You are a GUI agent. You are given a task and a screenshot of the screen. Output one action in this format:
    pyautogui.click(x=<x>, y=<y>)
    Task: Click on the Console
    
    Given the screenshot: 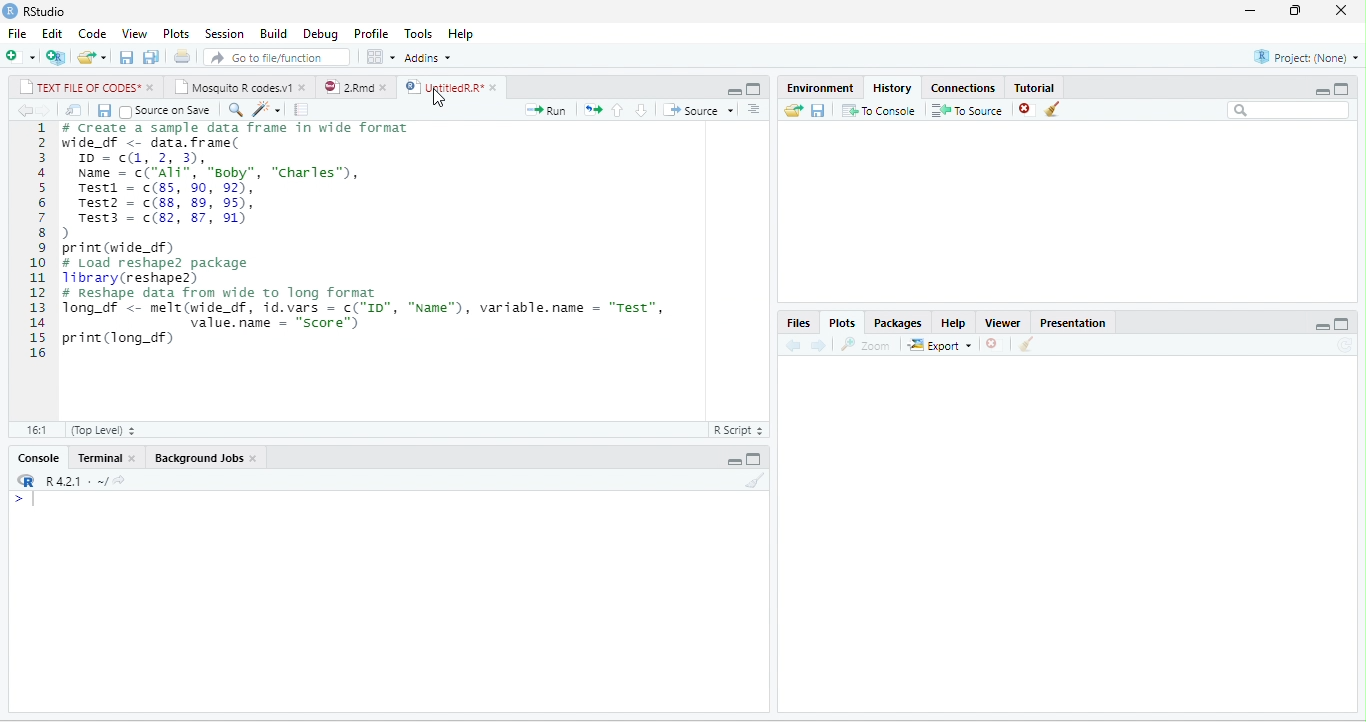 What is the action you would take?
    pyautogui.click(x=38, y=457)
    